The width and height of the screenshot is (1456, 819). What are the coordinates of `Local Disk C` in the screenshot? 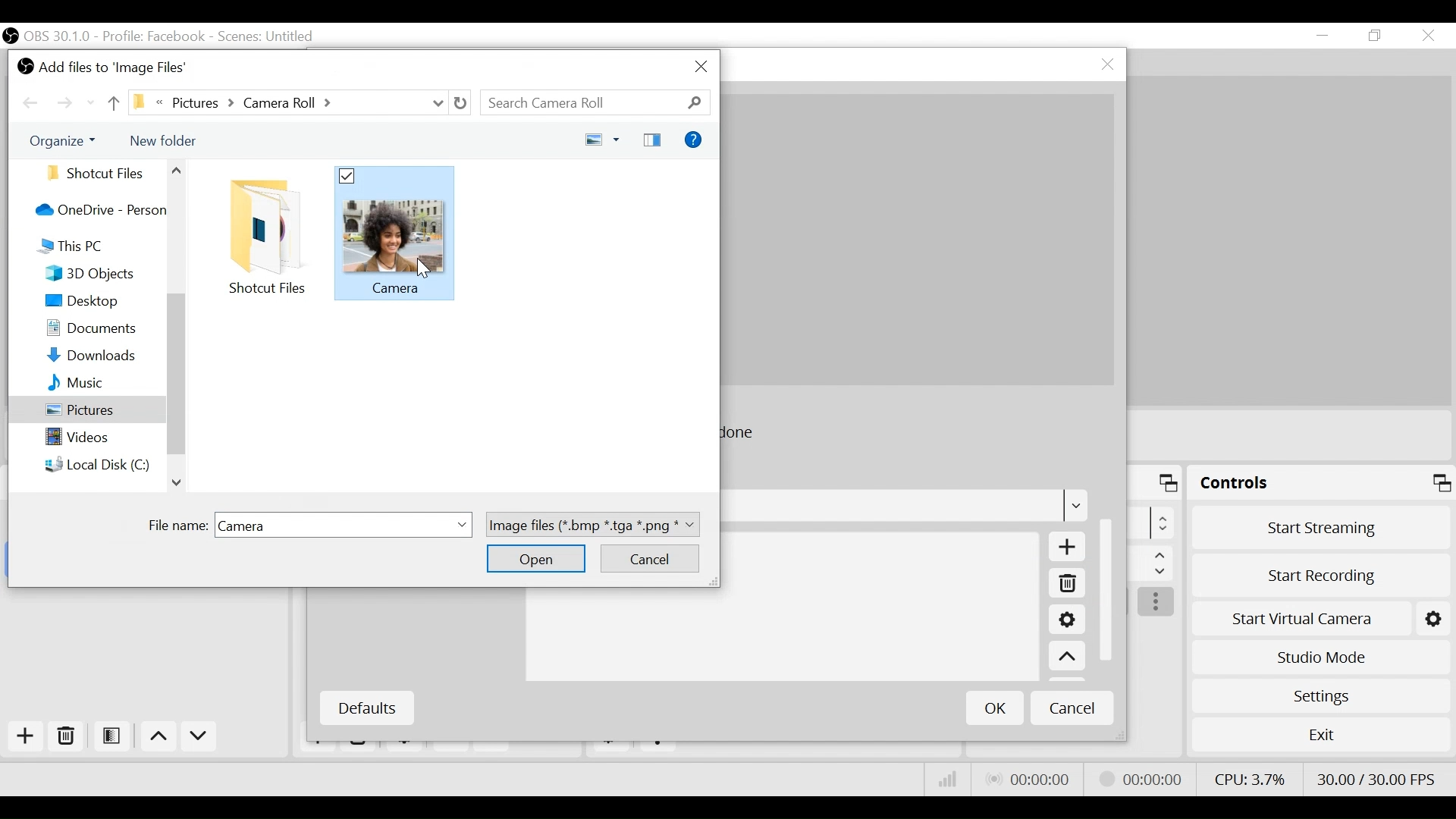 It's located at (102, 467).